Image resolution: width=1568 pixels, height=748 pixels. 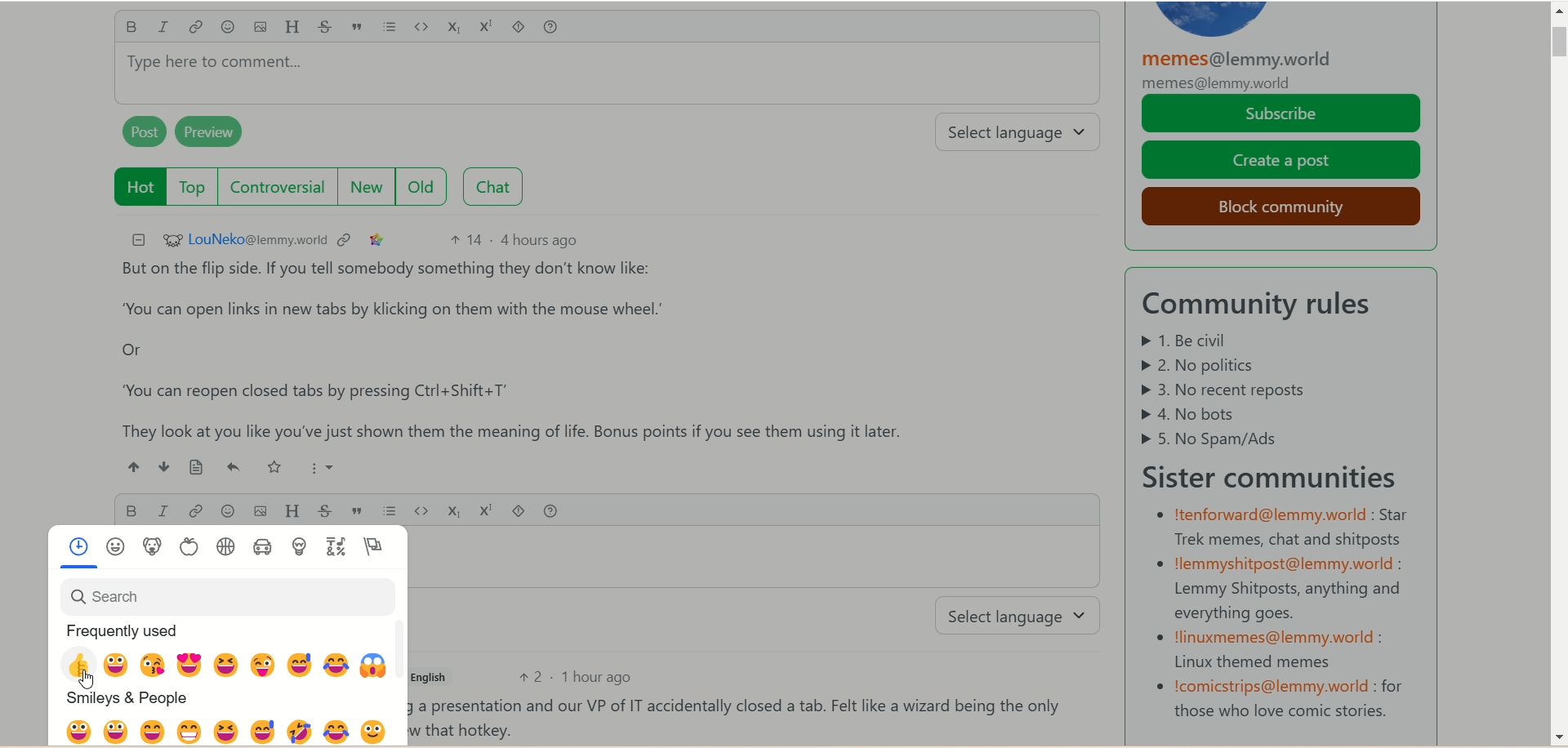 I want to click on subscript, so click(x=452, y=508).